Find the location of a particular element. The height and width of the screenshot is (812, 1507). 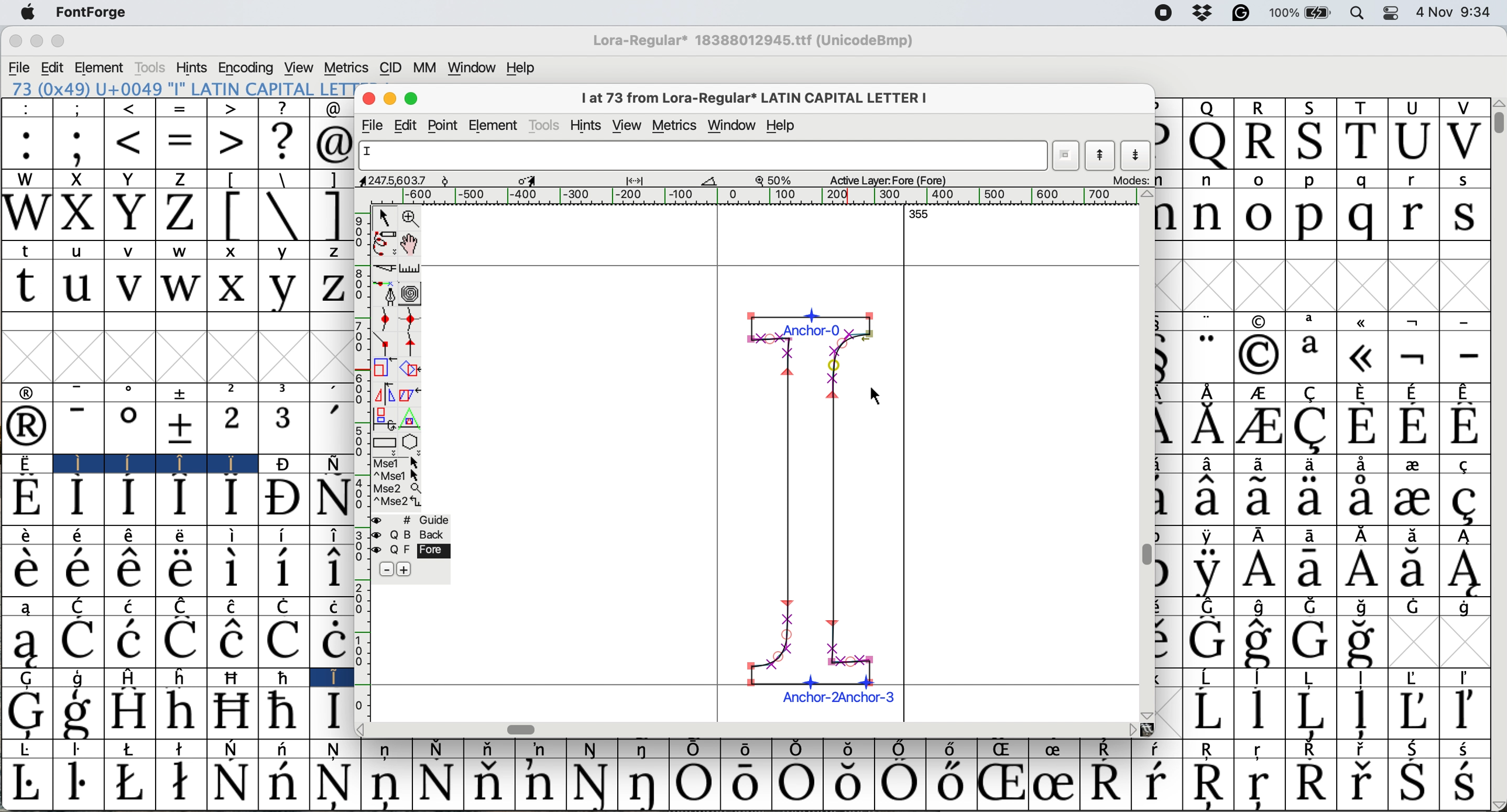

comer point is located at coordinates (384, 345).